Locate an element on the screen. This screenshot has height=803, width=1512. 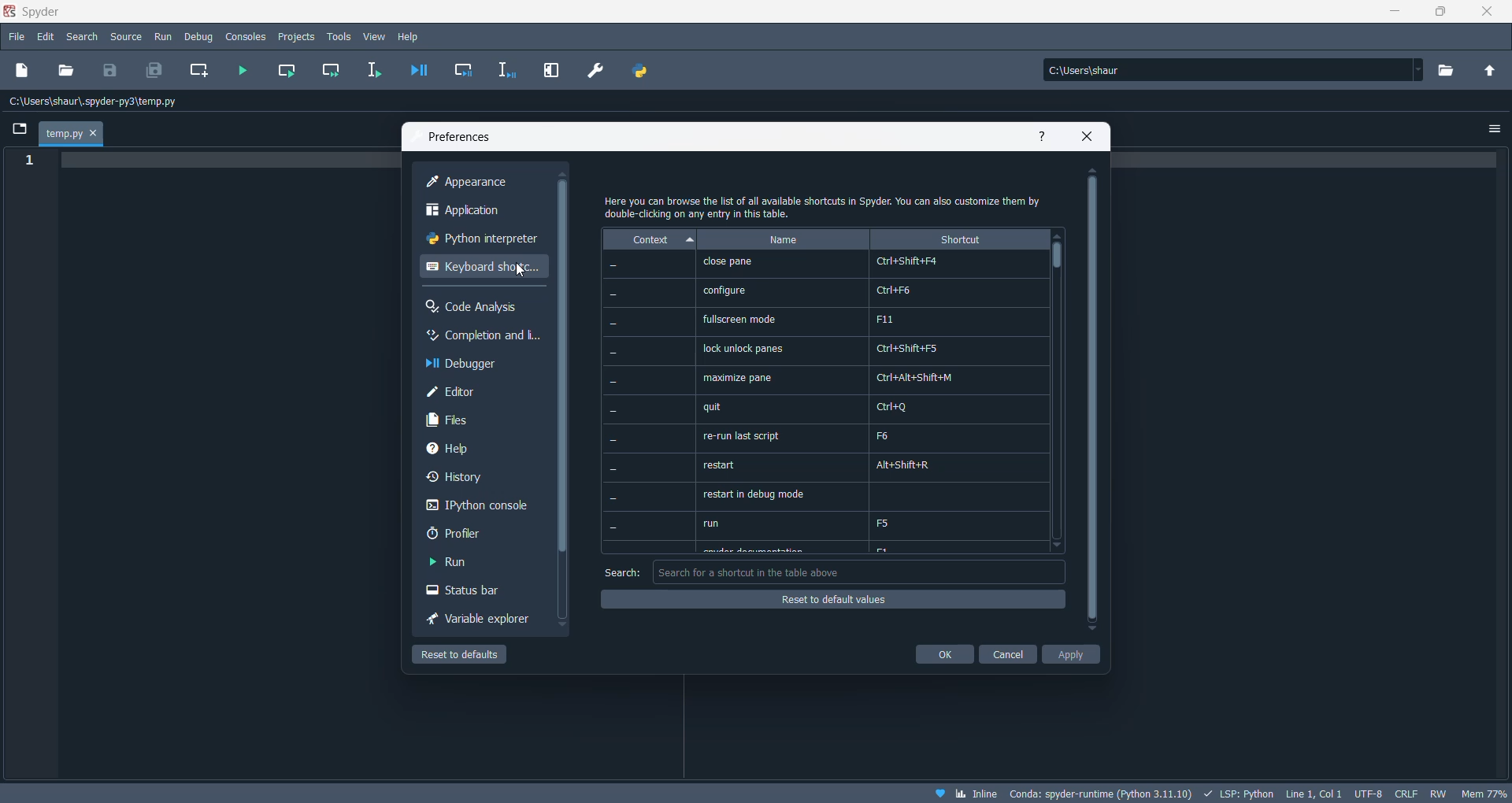
run is located at coordinates (162, 38).